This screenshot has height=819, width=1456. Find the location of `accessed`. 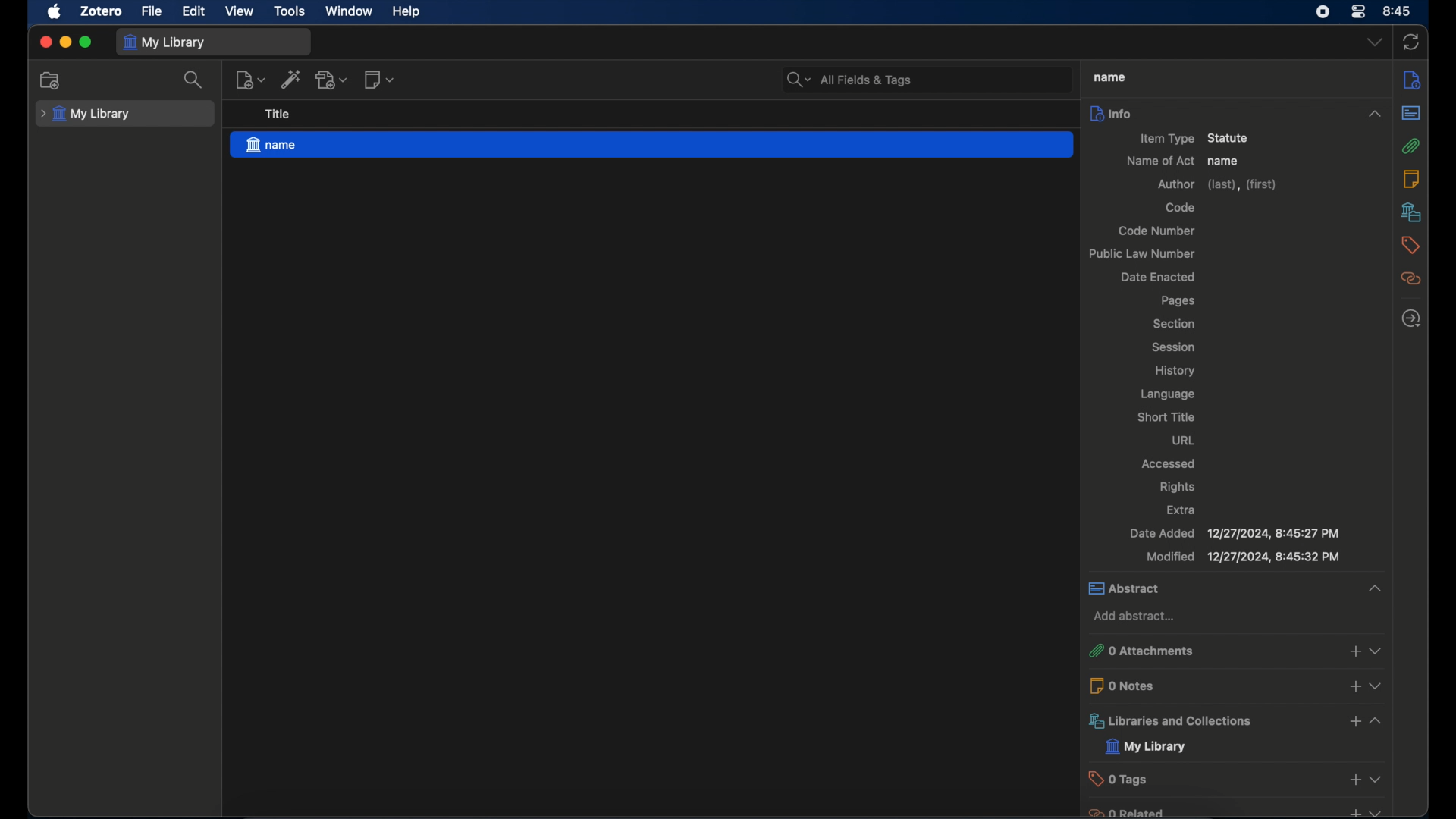

accessed is located at coordinates (1169, 464).